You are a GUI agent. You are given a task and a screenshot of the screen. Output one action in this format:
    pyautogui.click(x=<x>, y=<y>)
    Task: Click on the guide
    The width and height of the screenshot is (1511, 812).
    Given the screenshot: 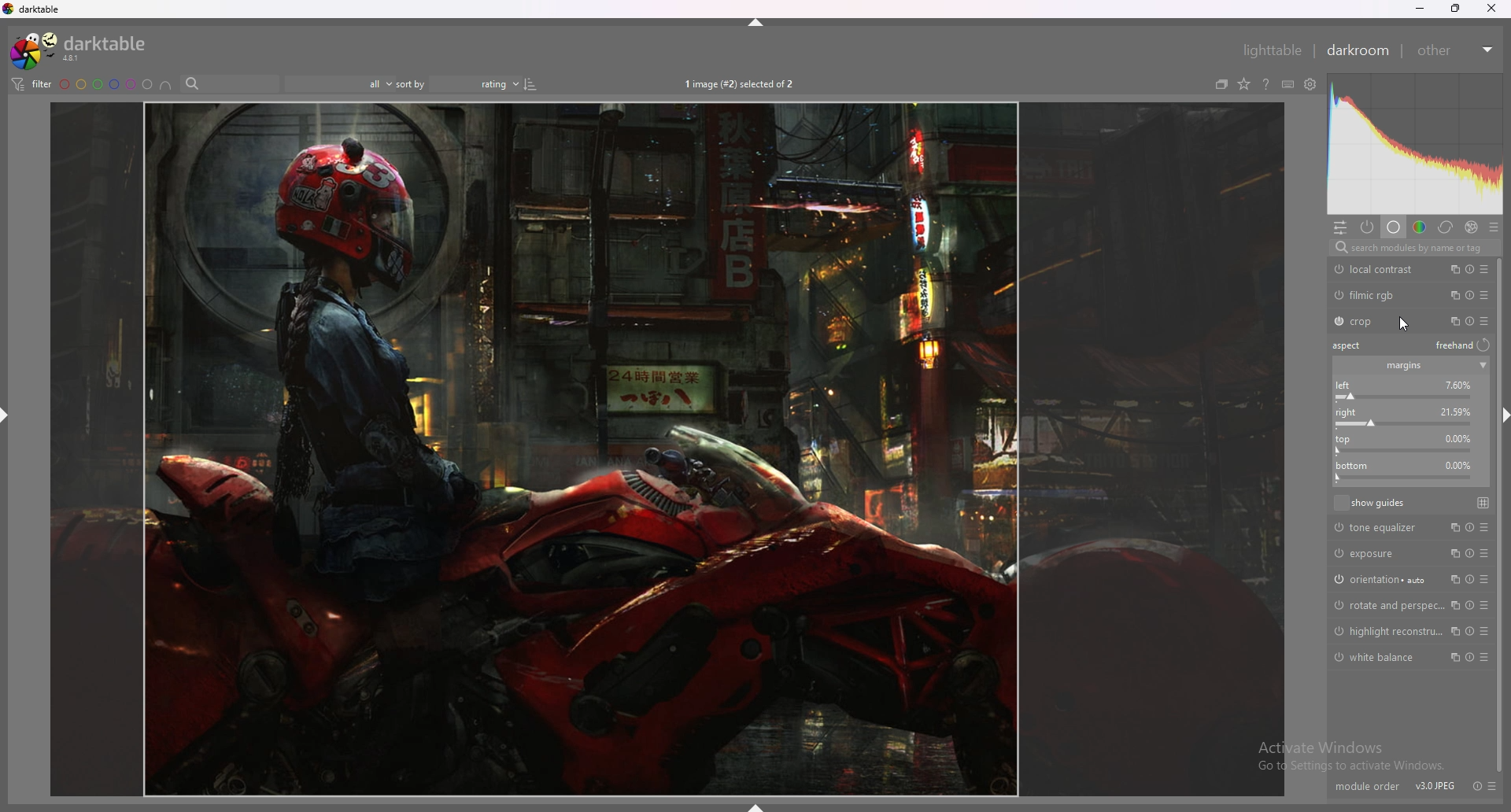 What is the action you would take?
    pyautogui.click(x=1484, y=502)
    